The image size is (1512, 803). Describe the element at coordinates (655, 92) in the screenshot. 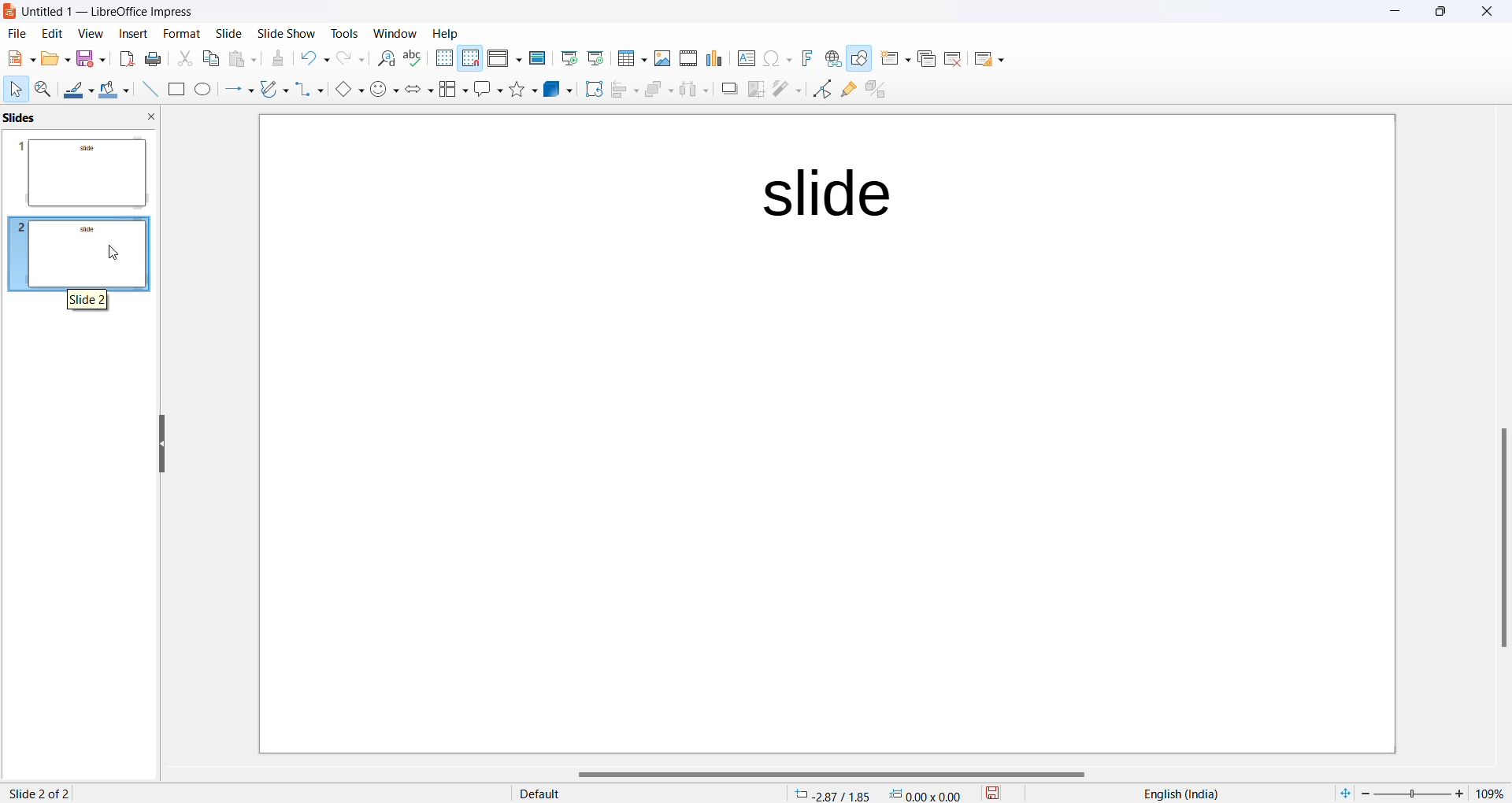

I see `Arrange` at that location.